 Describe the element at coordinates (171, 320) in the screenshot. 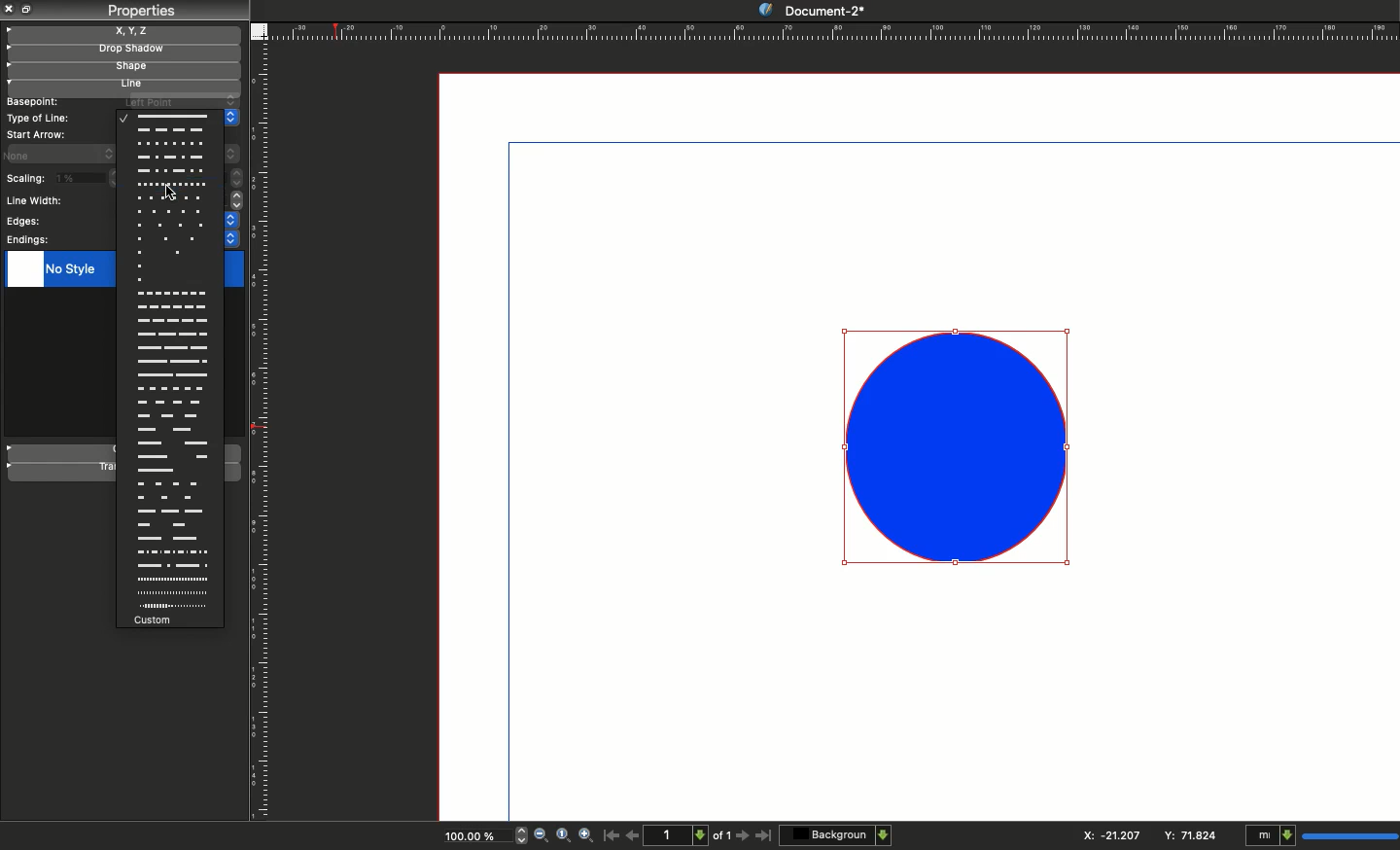

I see `line option` at that location.